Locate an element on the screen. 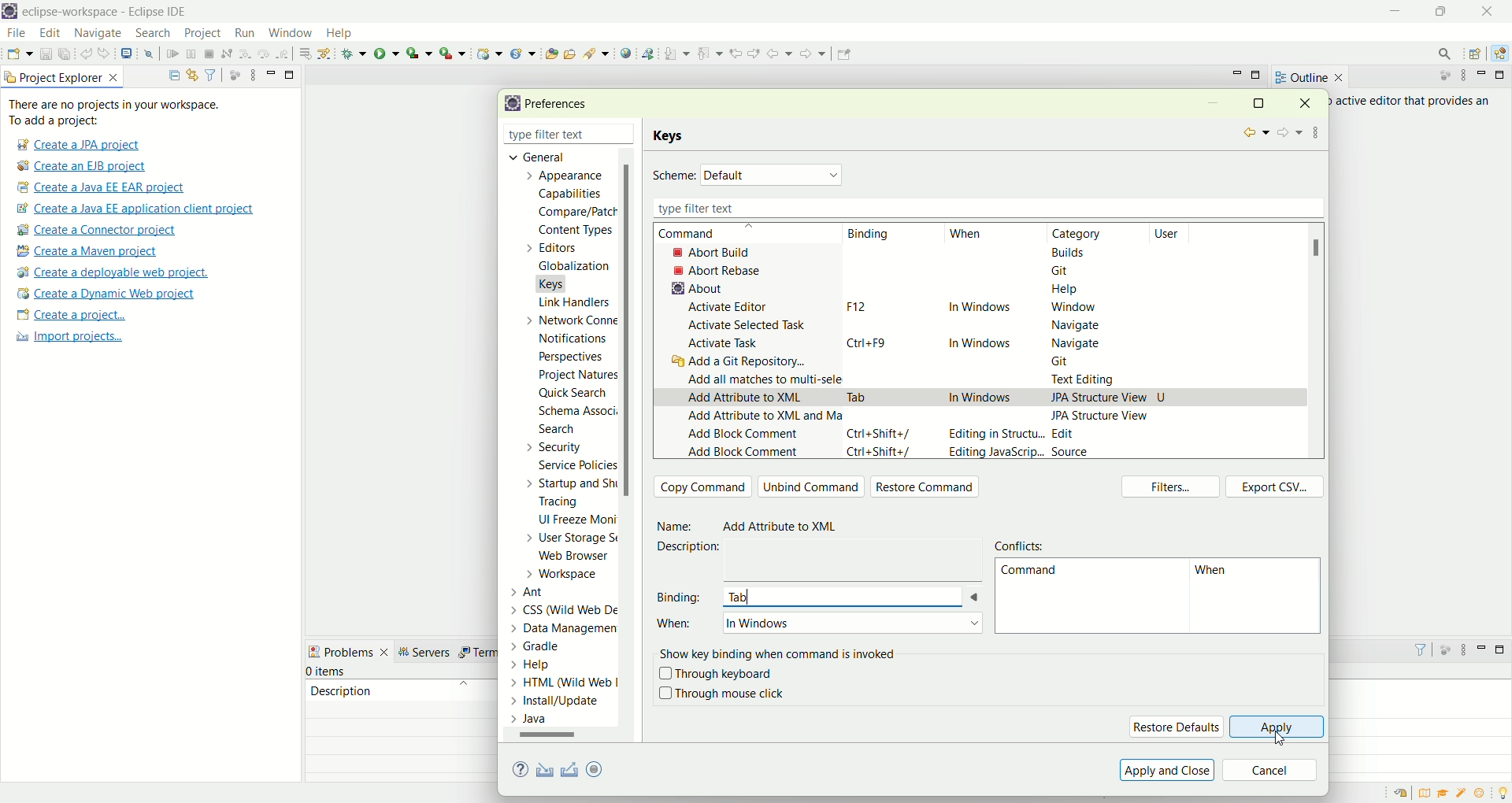 The width and height of the screenshot is (1512, 803). skip all breakpoints is located at coordinates (151, 54).